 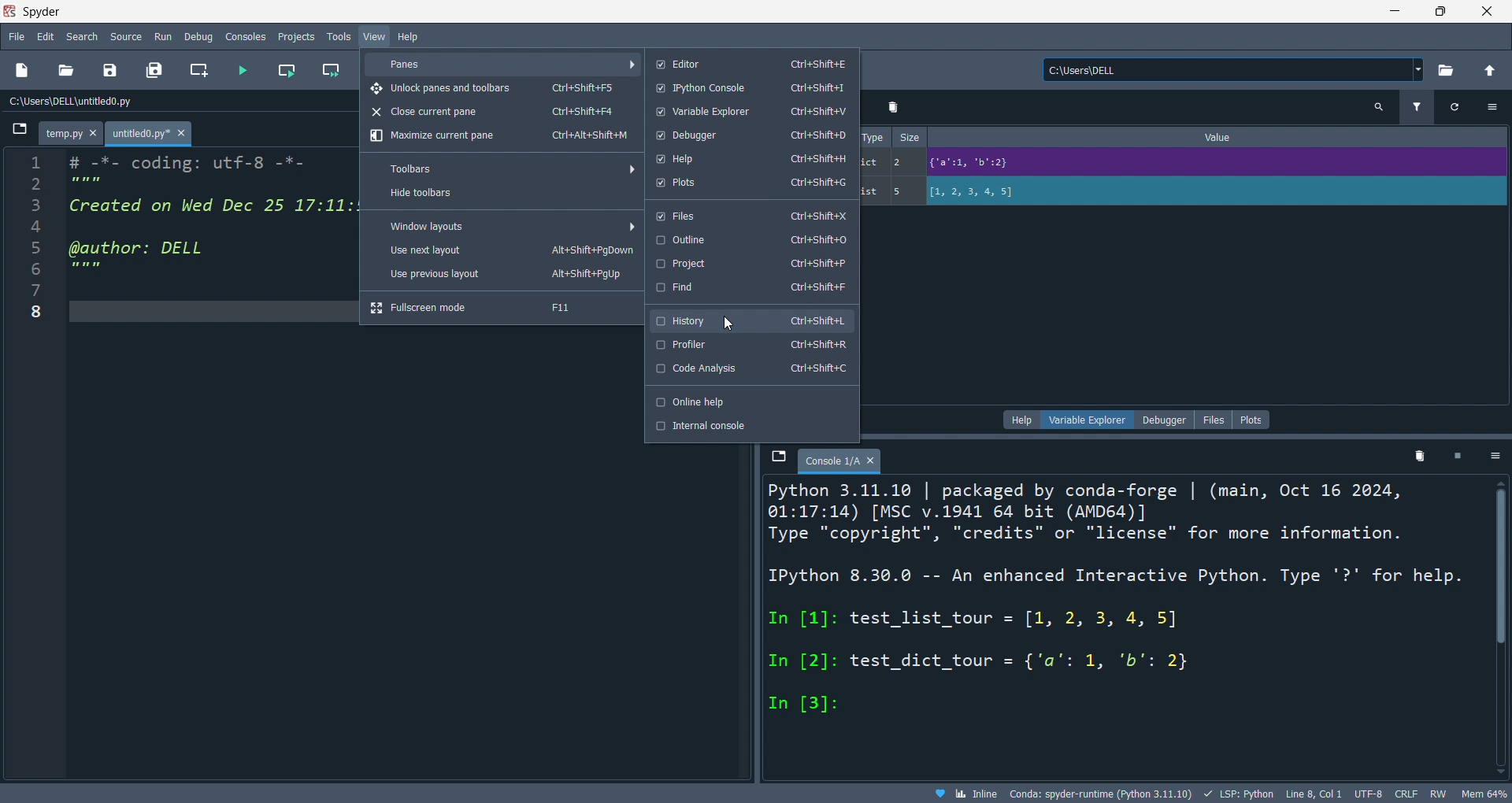 What do you see at coordinates (165, 37) in the screenshot?
I see `run` at bounding box center [165, 37].